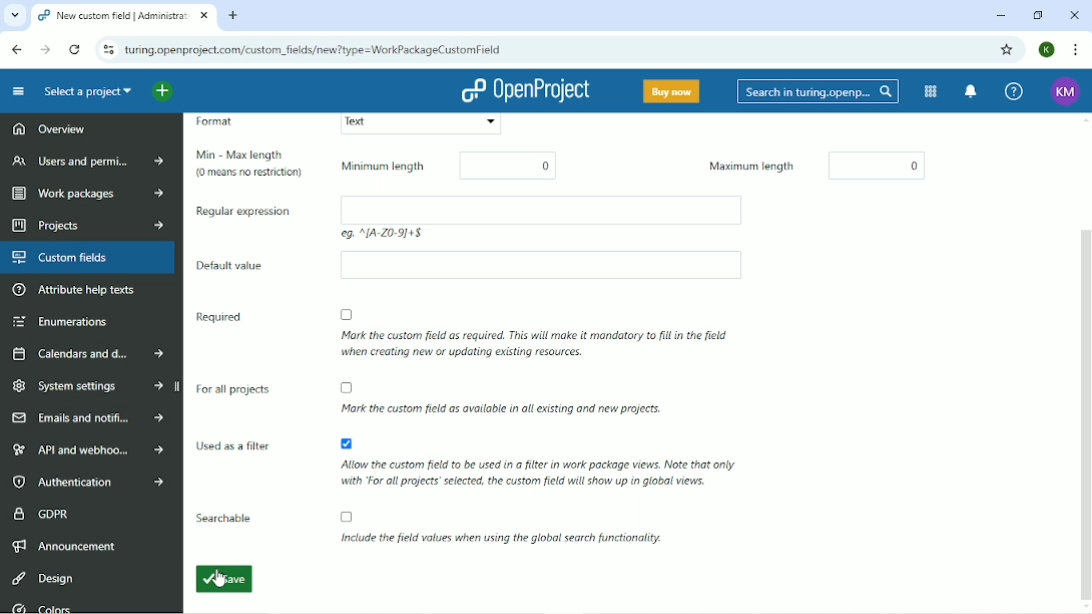 The width and height of the screenshot is (1092, 614). What do you see at coordinates (235, 446) in the screenshot?
I see `Used as a filter` at bounding box center [235, 446].